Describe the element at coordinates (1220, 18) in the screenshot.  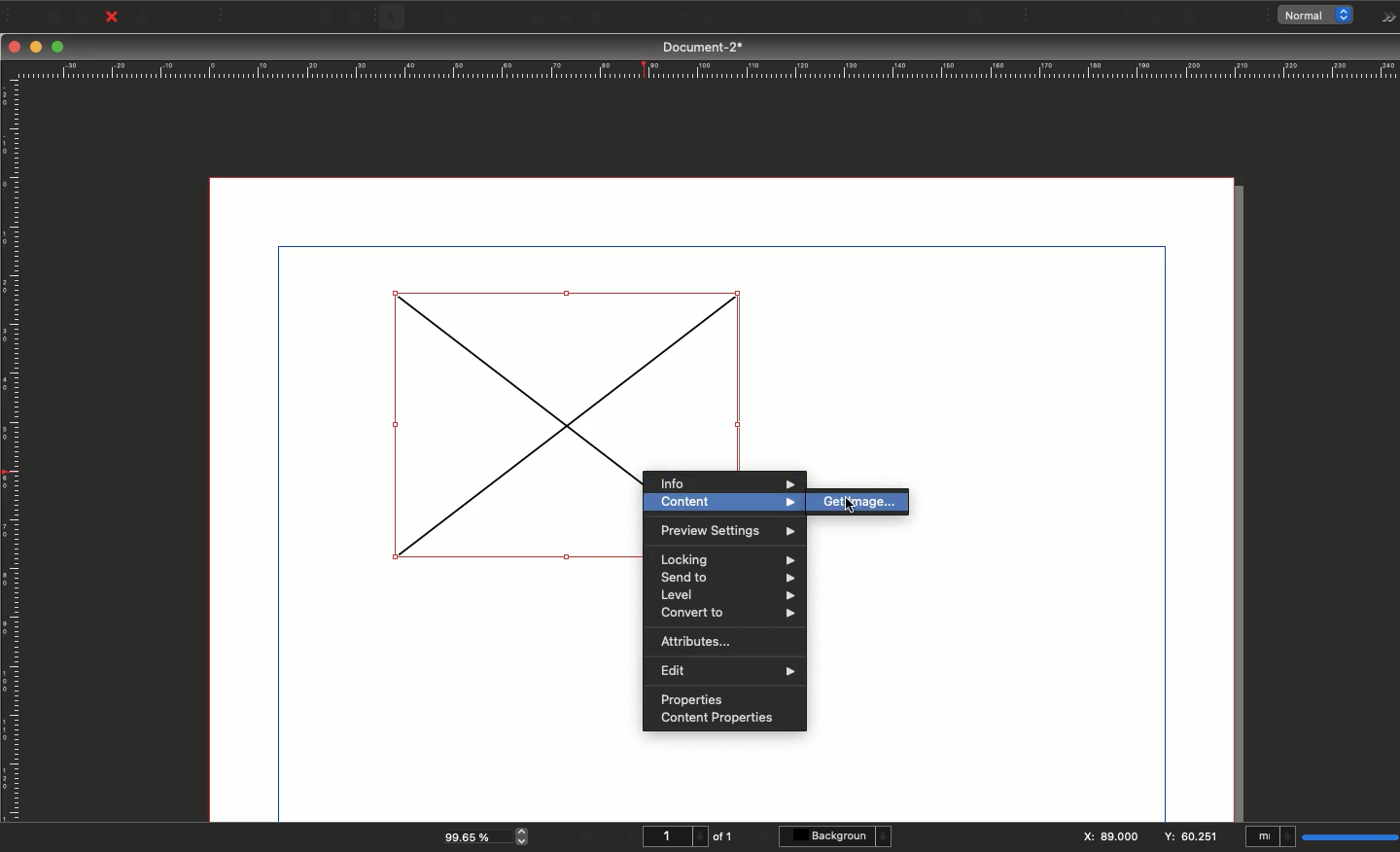
I see `Text annotation` at that location.